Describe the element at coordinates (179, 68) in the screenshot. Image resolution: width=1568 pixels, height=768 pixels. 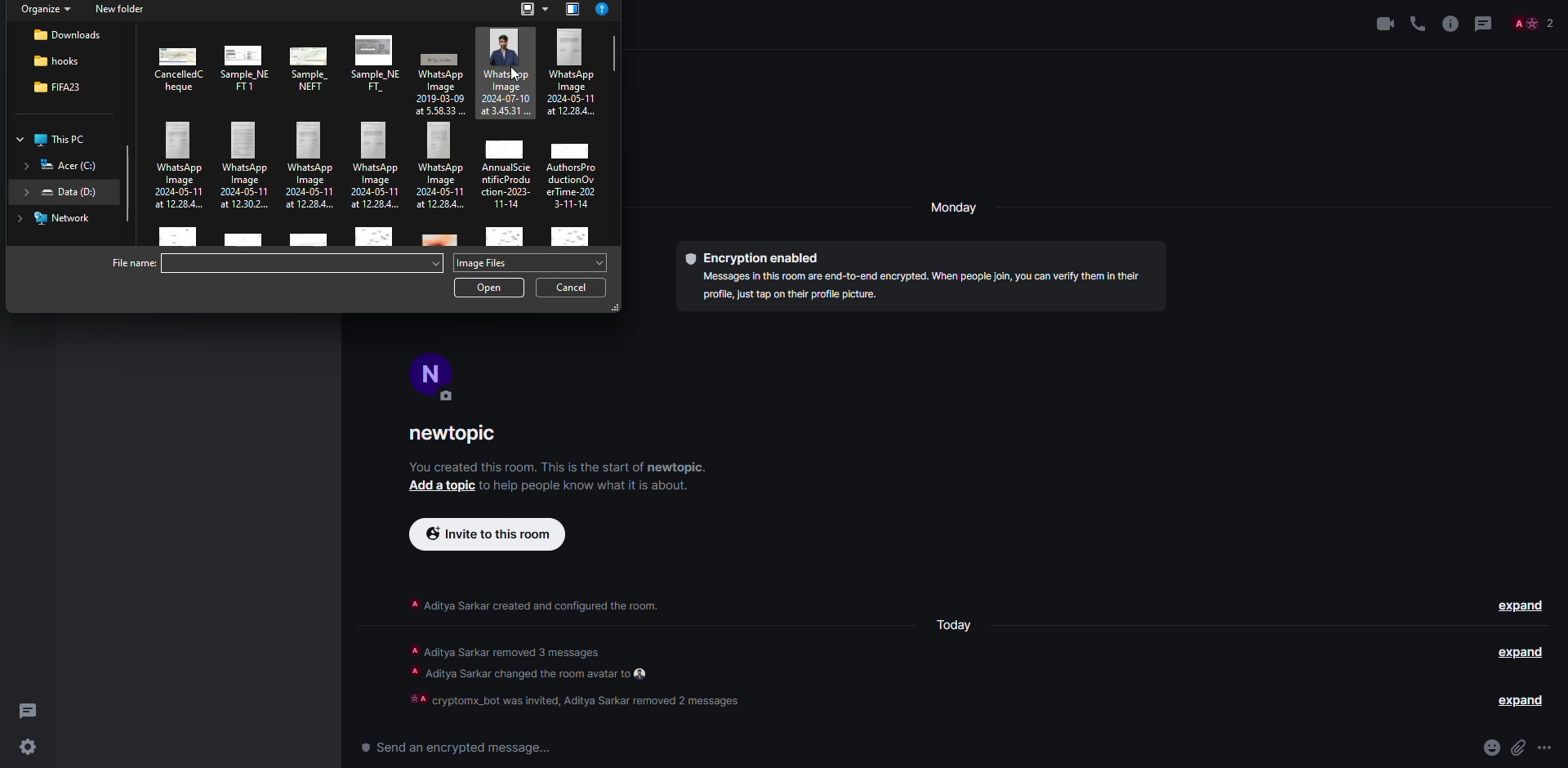
I see `click to select` at that location.